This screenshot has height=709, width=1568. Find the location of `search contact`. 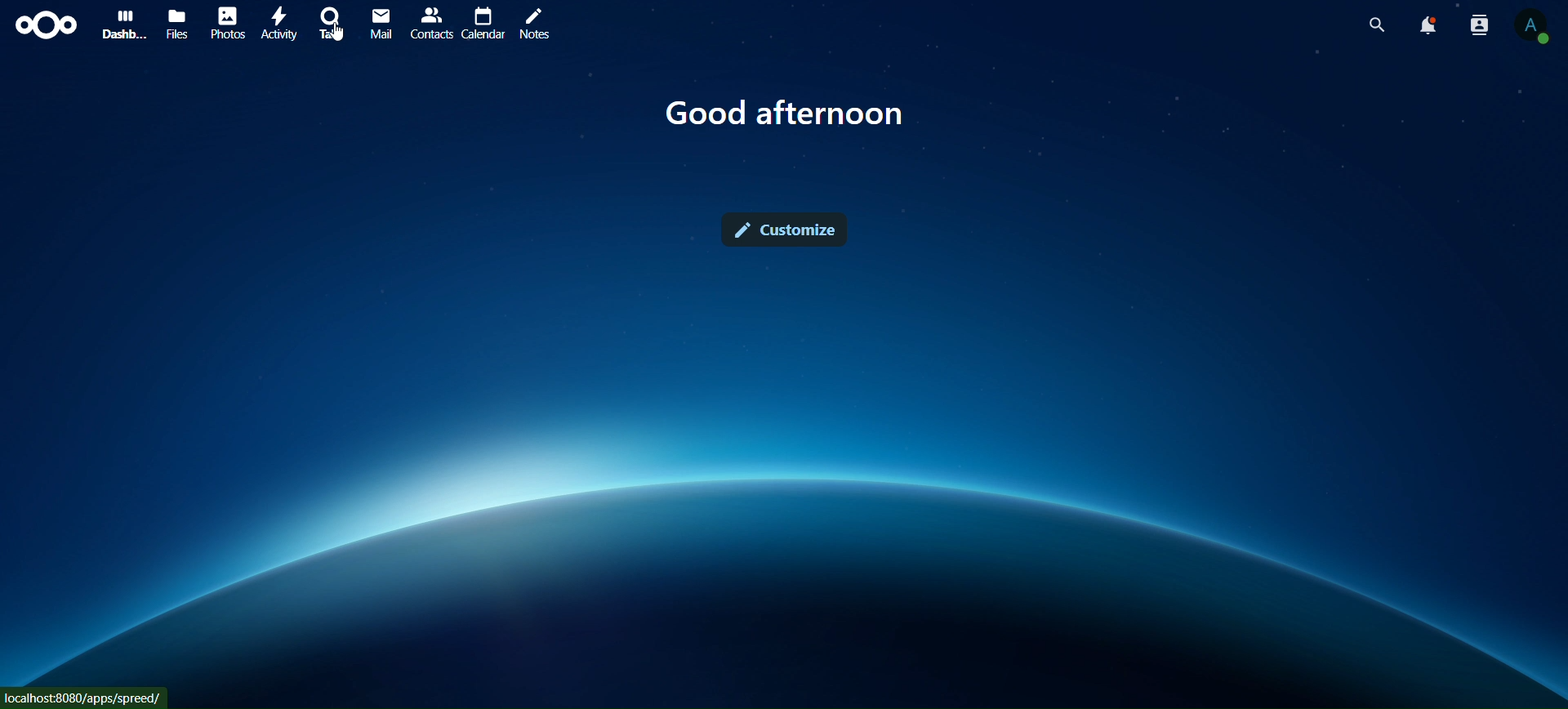

search contact is located at coordinates (1480, 25).